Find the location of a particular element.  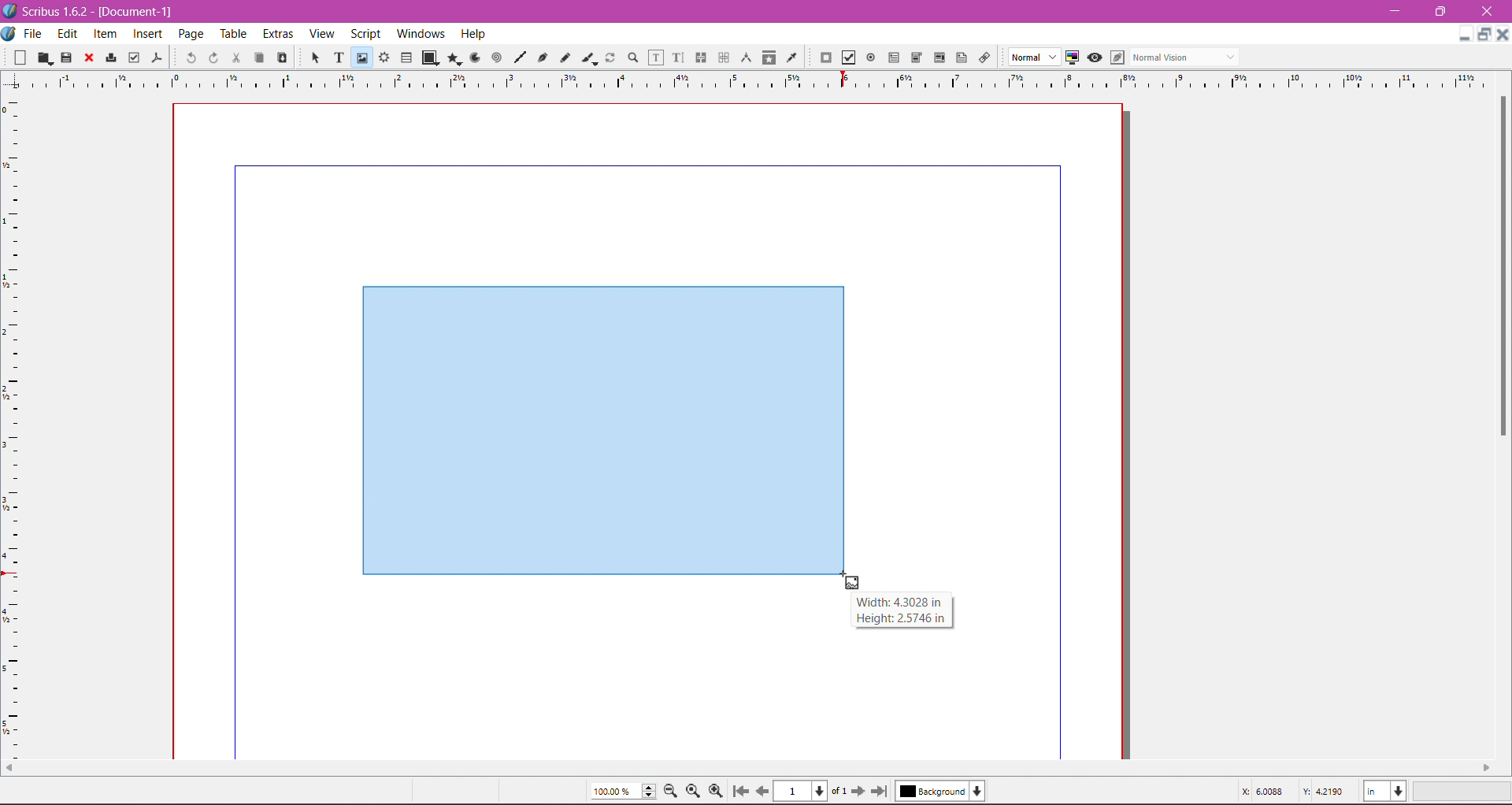

Page is located at coordinates (193, 35).